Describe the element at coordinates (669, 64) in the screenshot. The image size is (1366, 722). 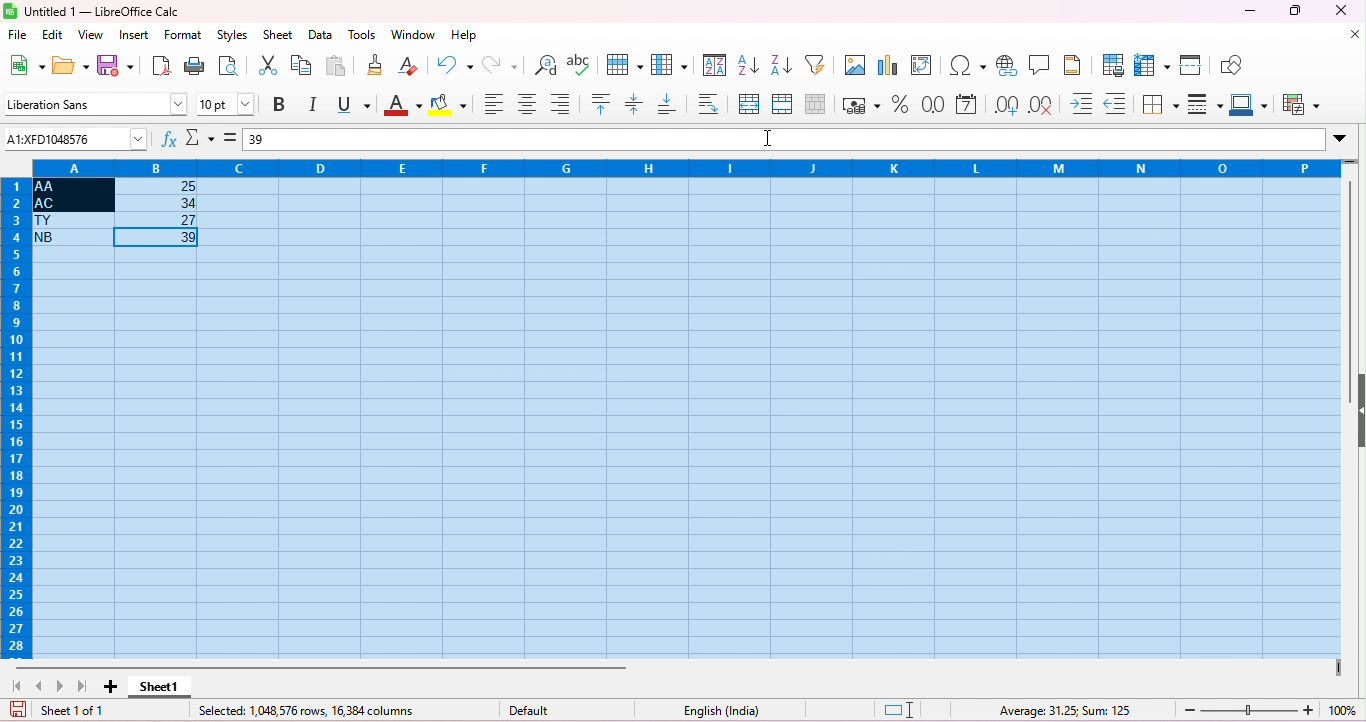
I see `column` at that location.